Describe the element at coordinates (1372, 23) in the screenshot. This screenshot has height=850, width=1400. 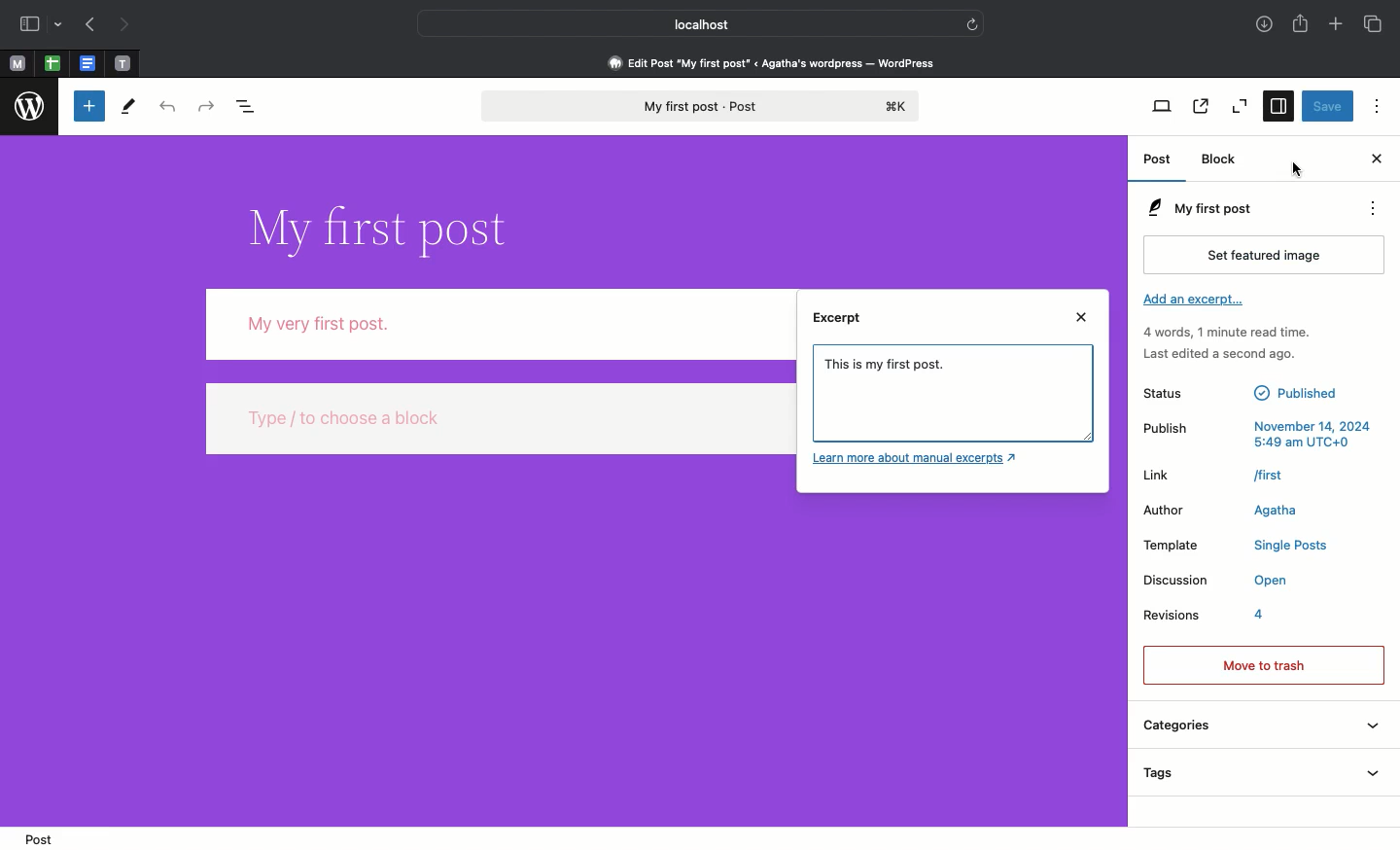
I see `Tabs` at that location.